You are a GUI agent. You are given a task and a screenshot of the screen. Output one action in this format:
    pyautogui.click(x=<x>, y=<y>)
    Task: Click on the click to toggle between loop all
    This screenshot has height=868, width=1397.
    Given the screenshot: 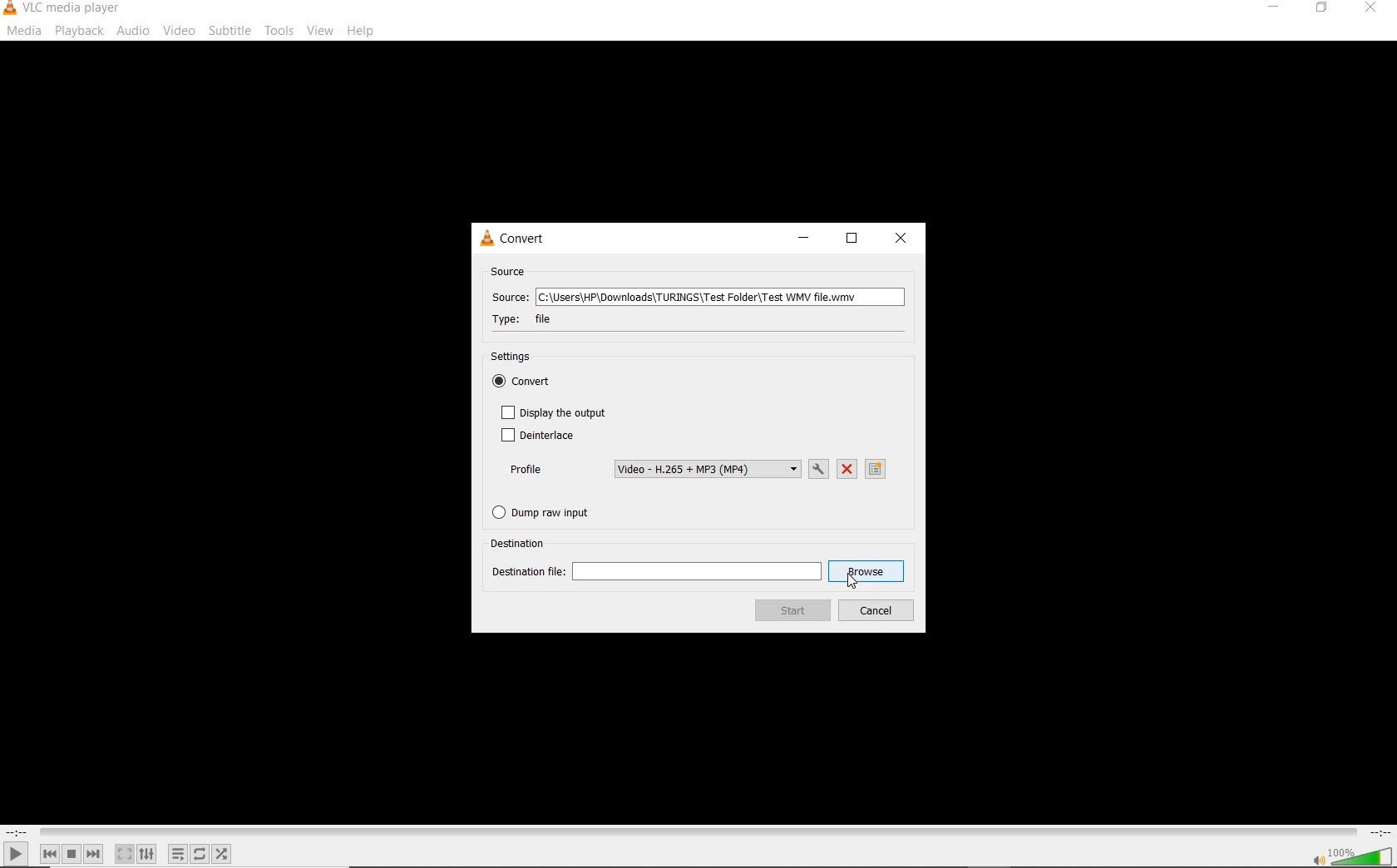 What is the action you would take?
    pyautogui.click(x=200, y=853)
    